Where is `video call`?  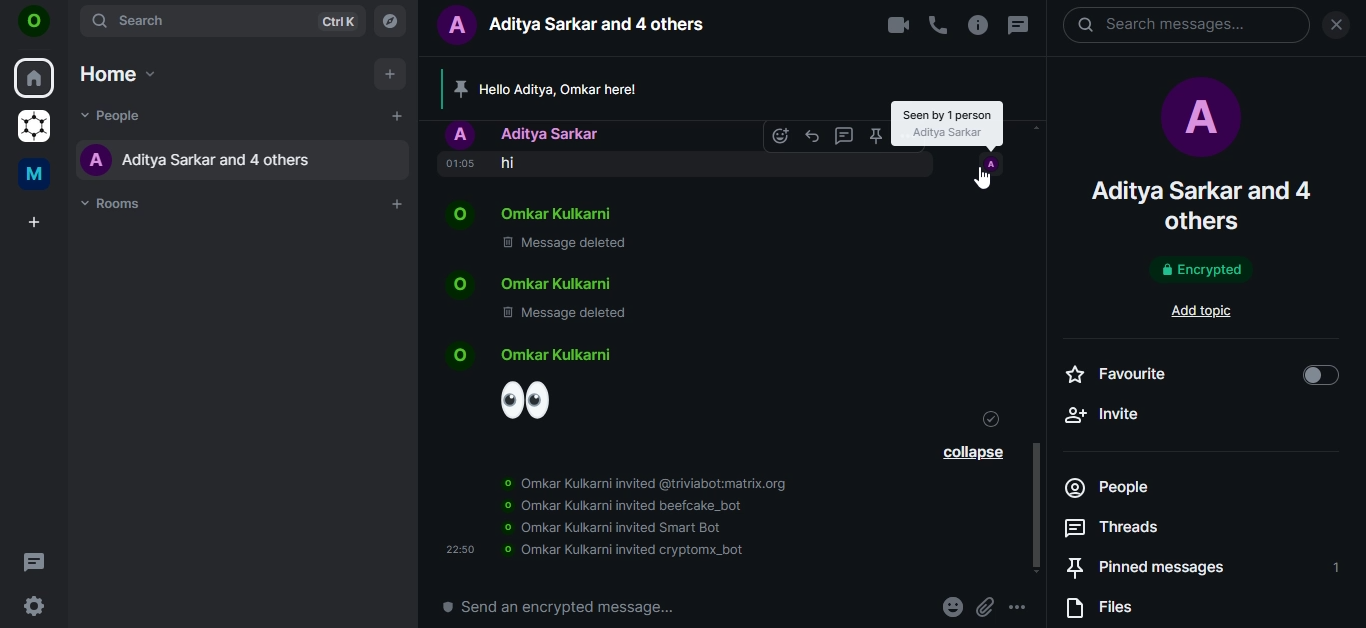 video call is located at coordinates (896, 26).